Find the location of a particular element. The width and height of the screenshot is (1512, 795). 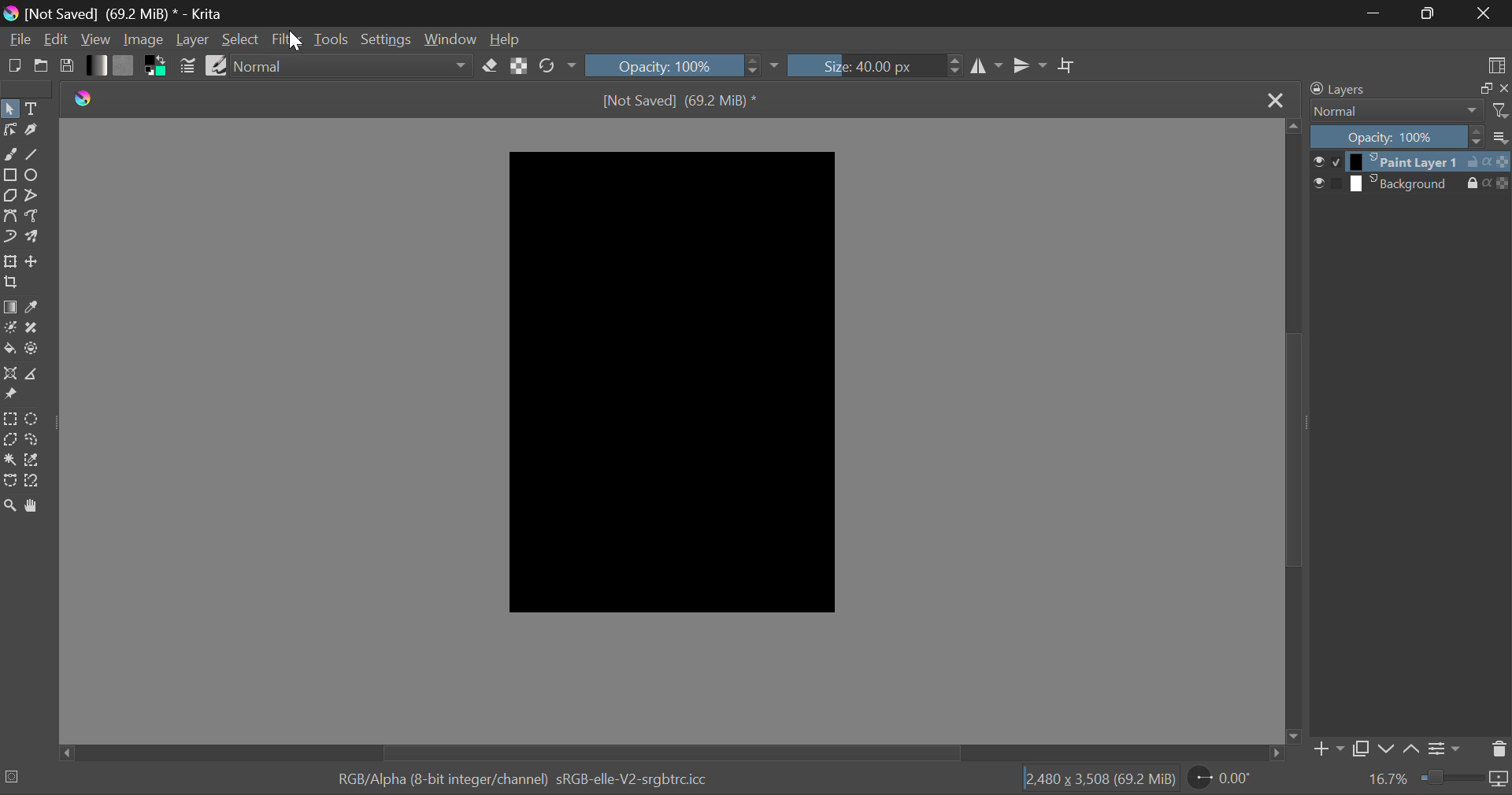

Add Layer is located at coordinates (1325, 748).